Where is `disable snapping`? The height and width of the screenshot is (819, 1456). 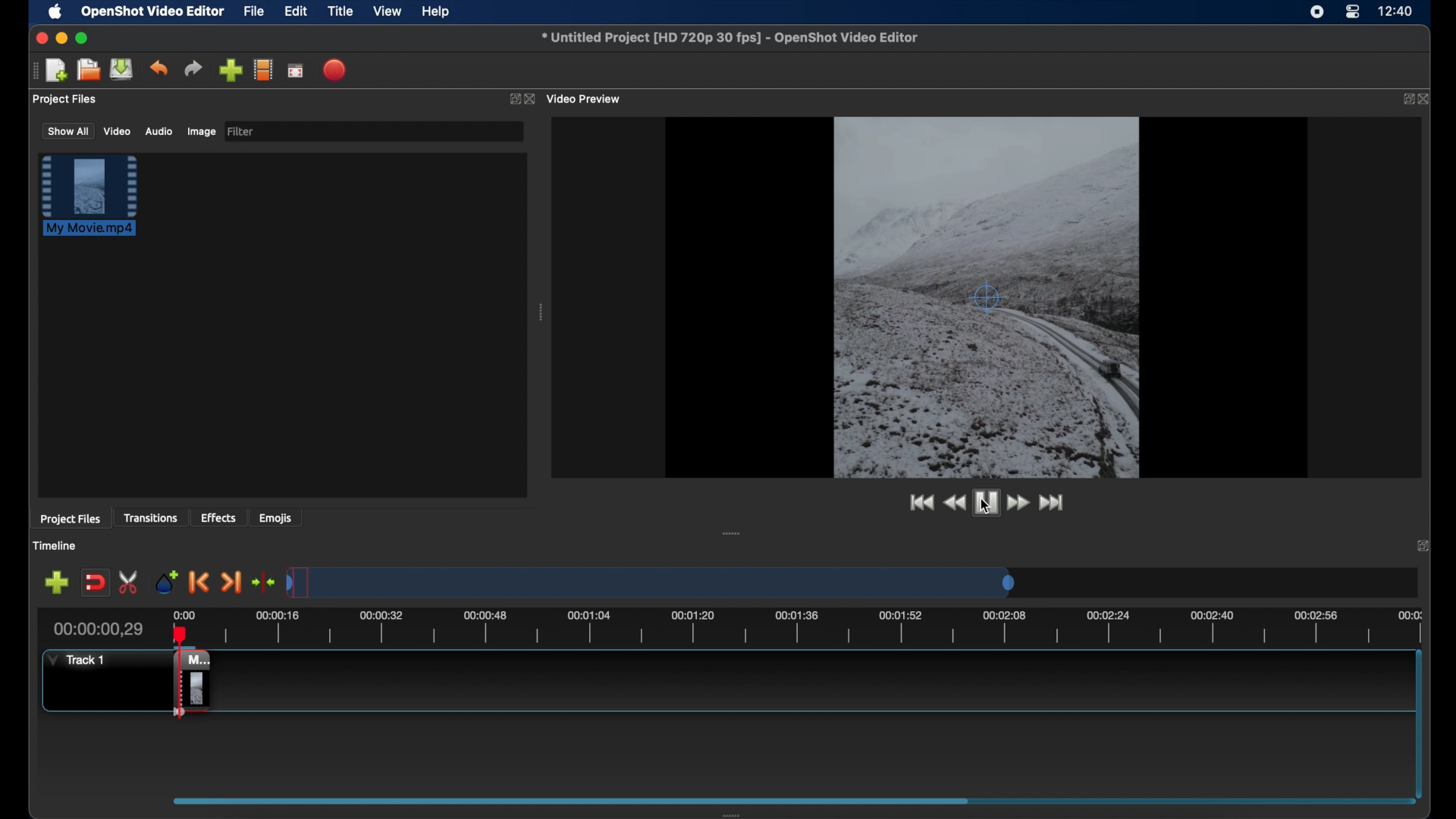
disable snapping is located at coordinates (95, 583).